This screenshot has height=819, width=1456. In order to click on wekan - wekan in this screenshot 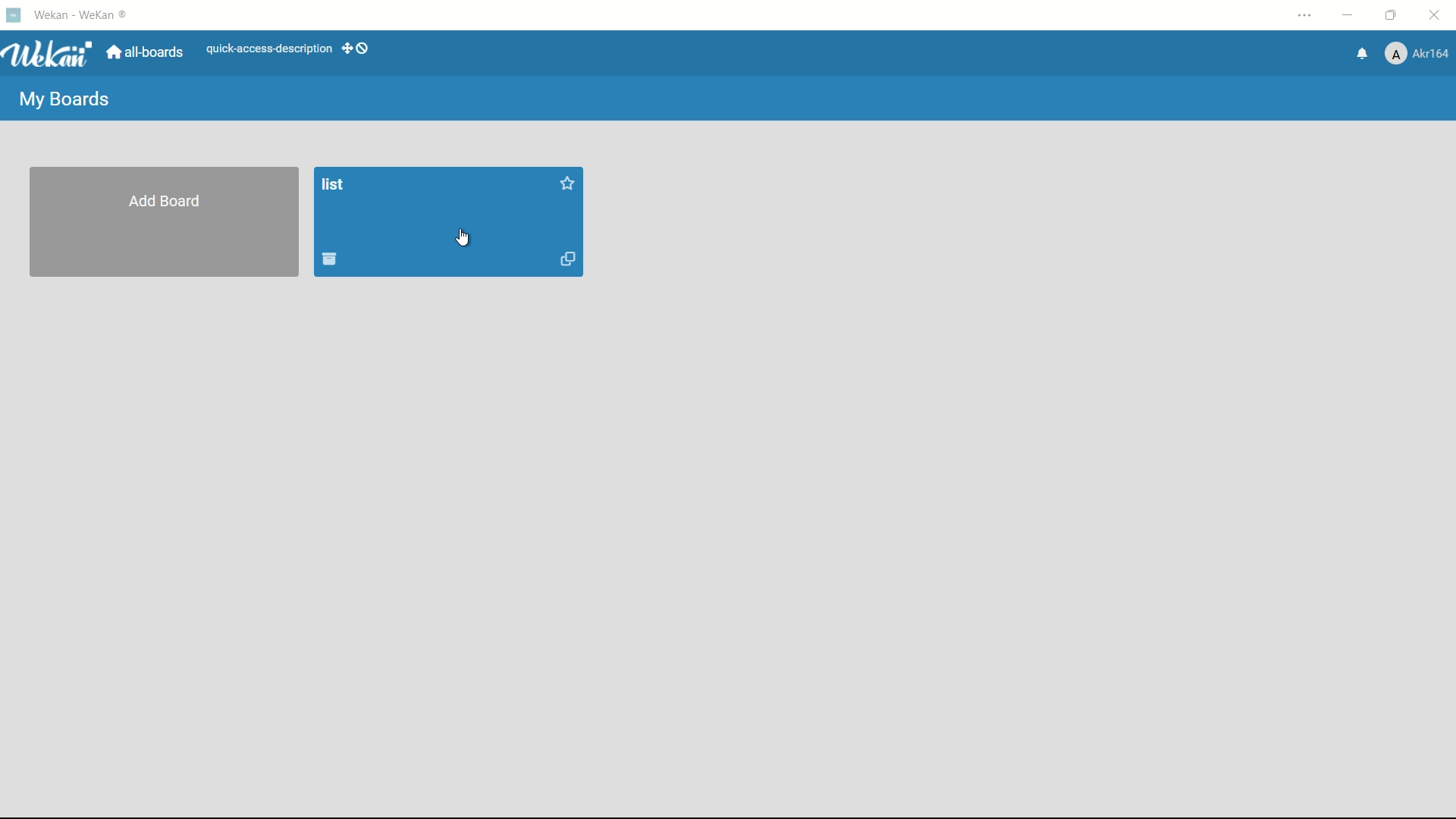, I will do `click(84, 15)`.